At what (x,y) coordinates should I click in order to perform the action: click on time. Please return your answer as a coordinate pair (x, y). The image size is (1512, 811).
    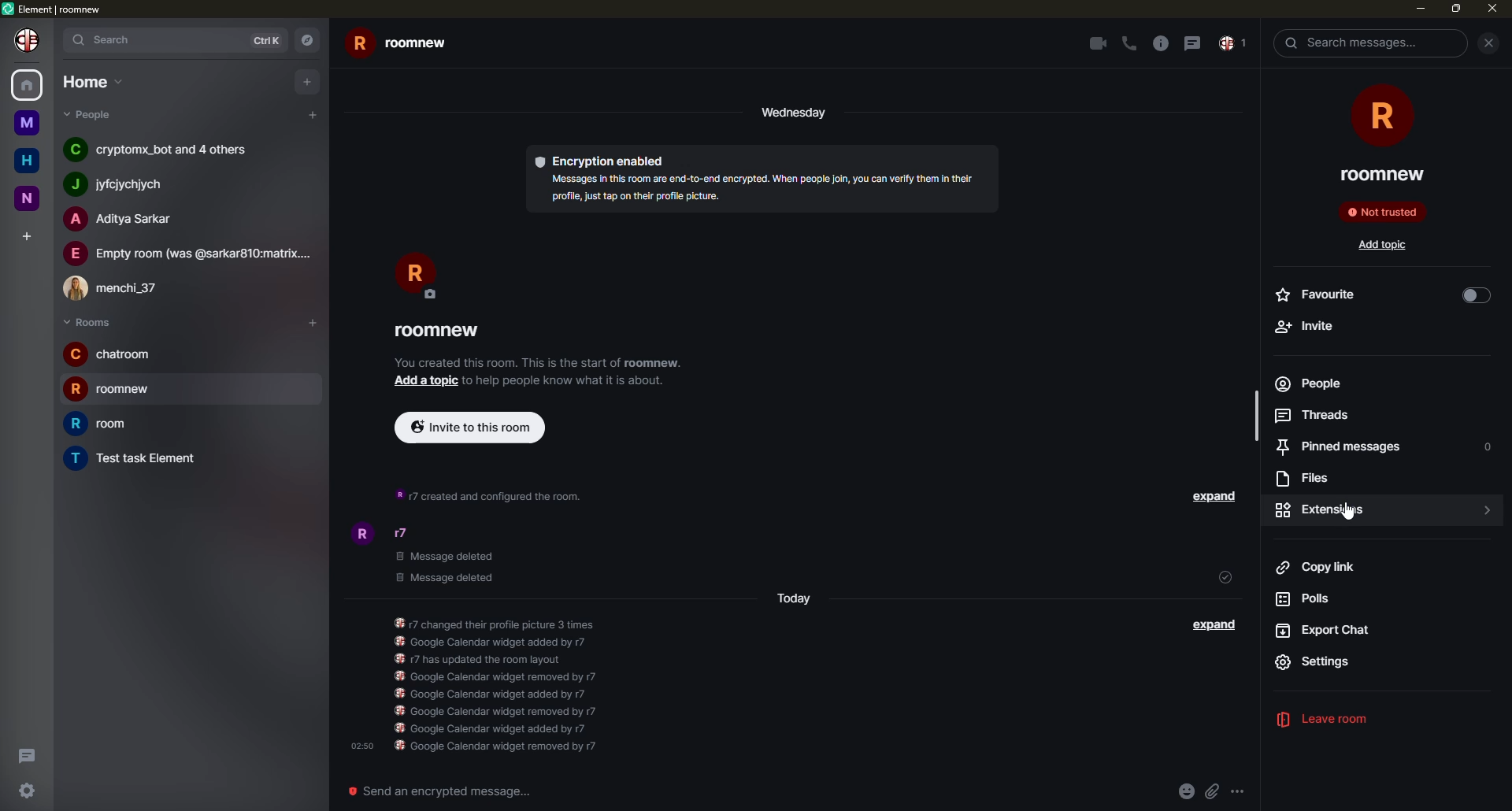
    Looking at the image, I should click on (359, 745).